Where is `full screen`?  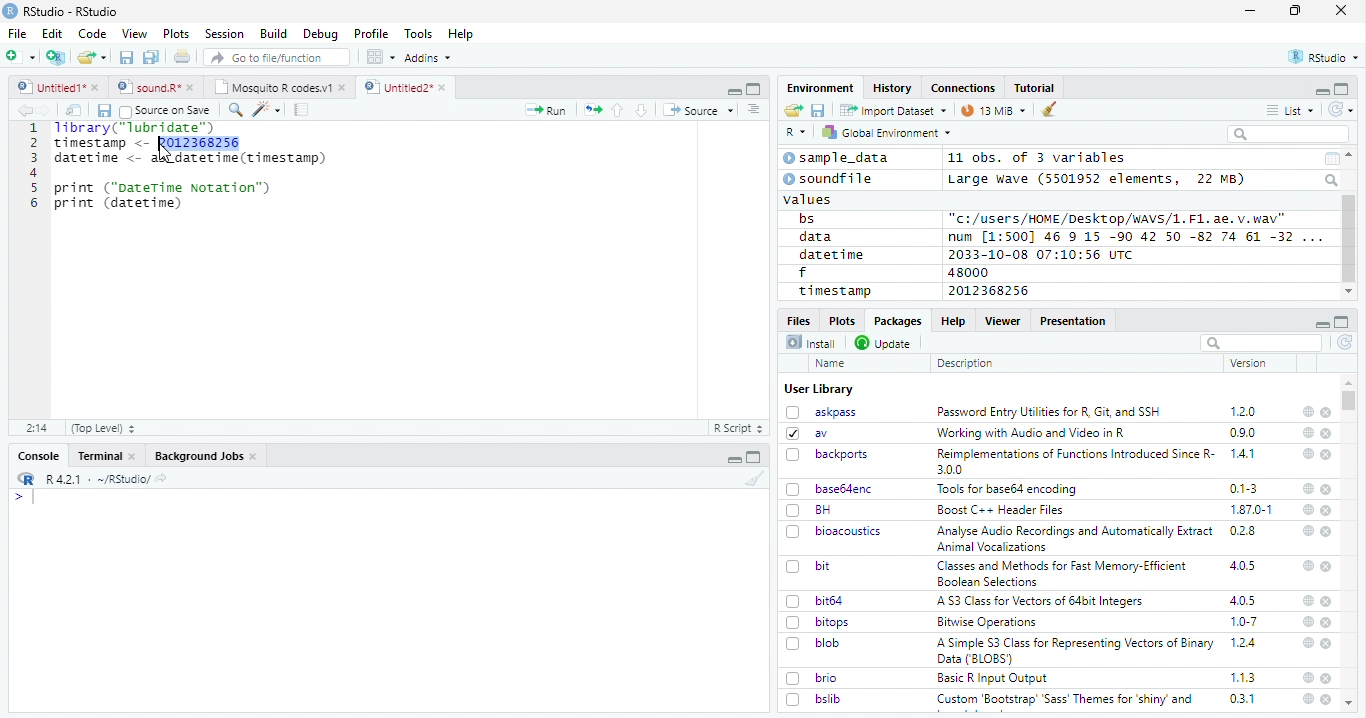
full screen is located at coordinates (1342, 322).